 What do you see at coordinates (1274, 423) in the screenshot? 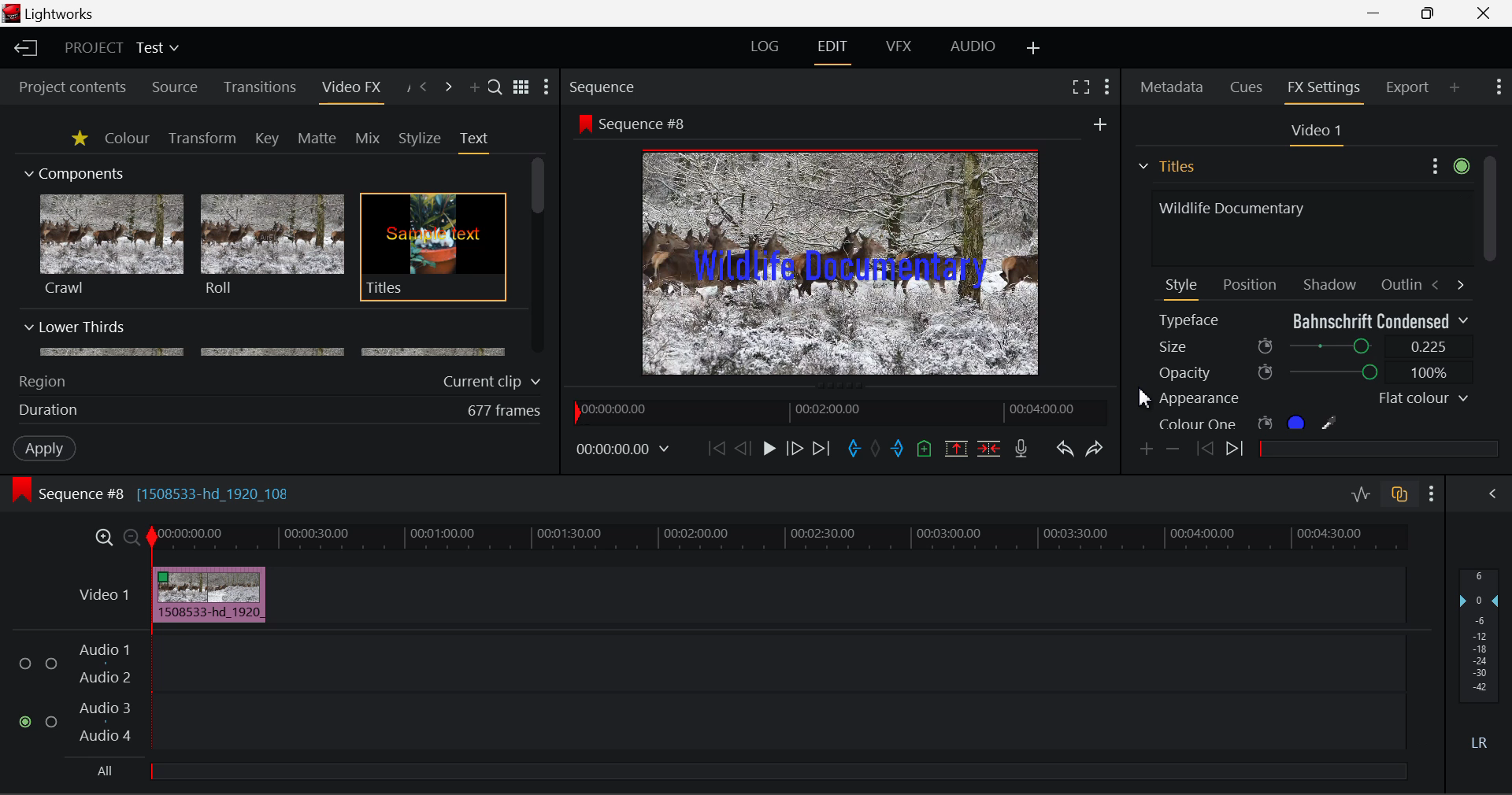
I see `Colour One` at bounding box center [1274, 423].